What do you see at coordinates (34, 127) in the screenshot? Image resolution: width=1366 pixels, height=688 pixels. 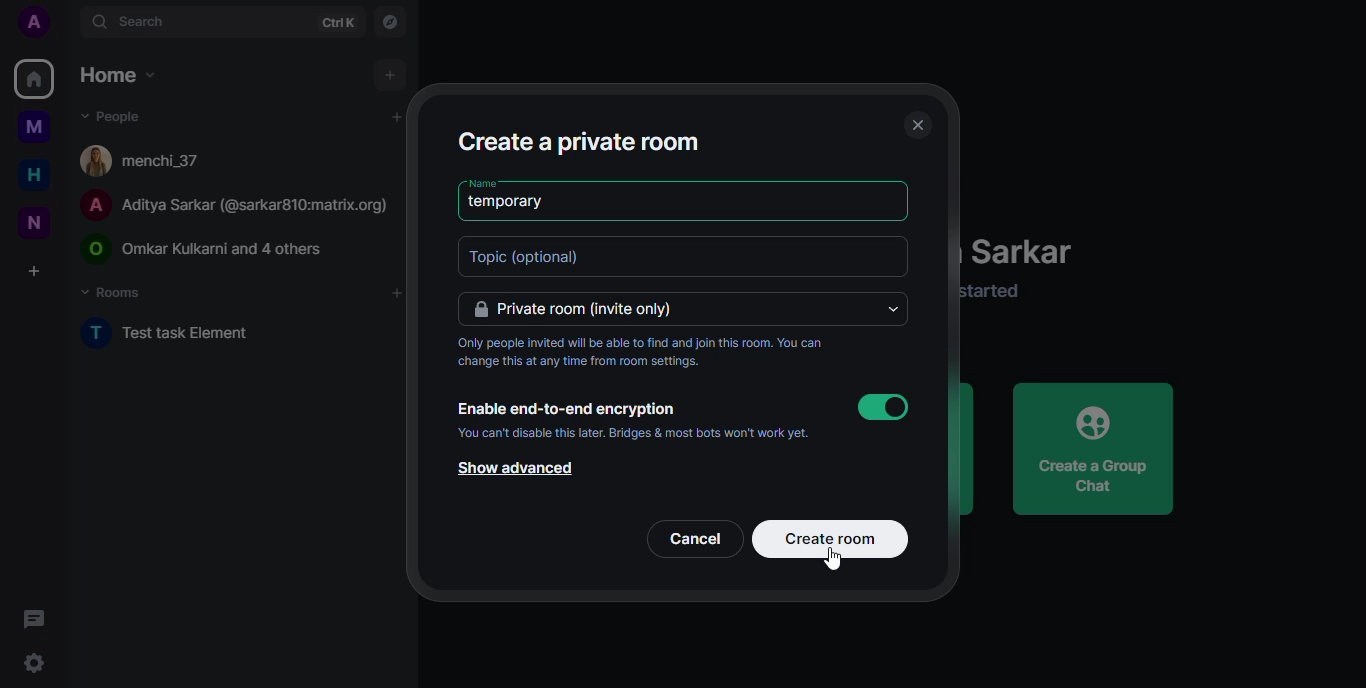 I see `myspace` at bounding box center [34, 127].